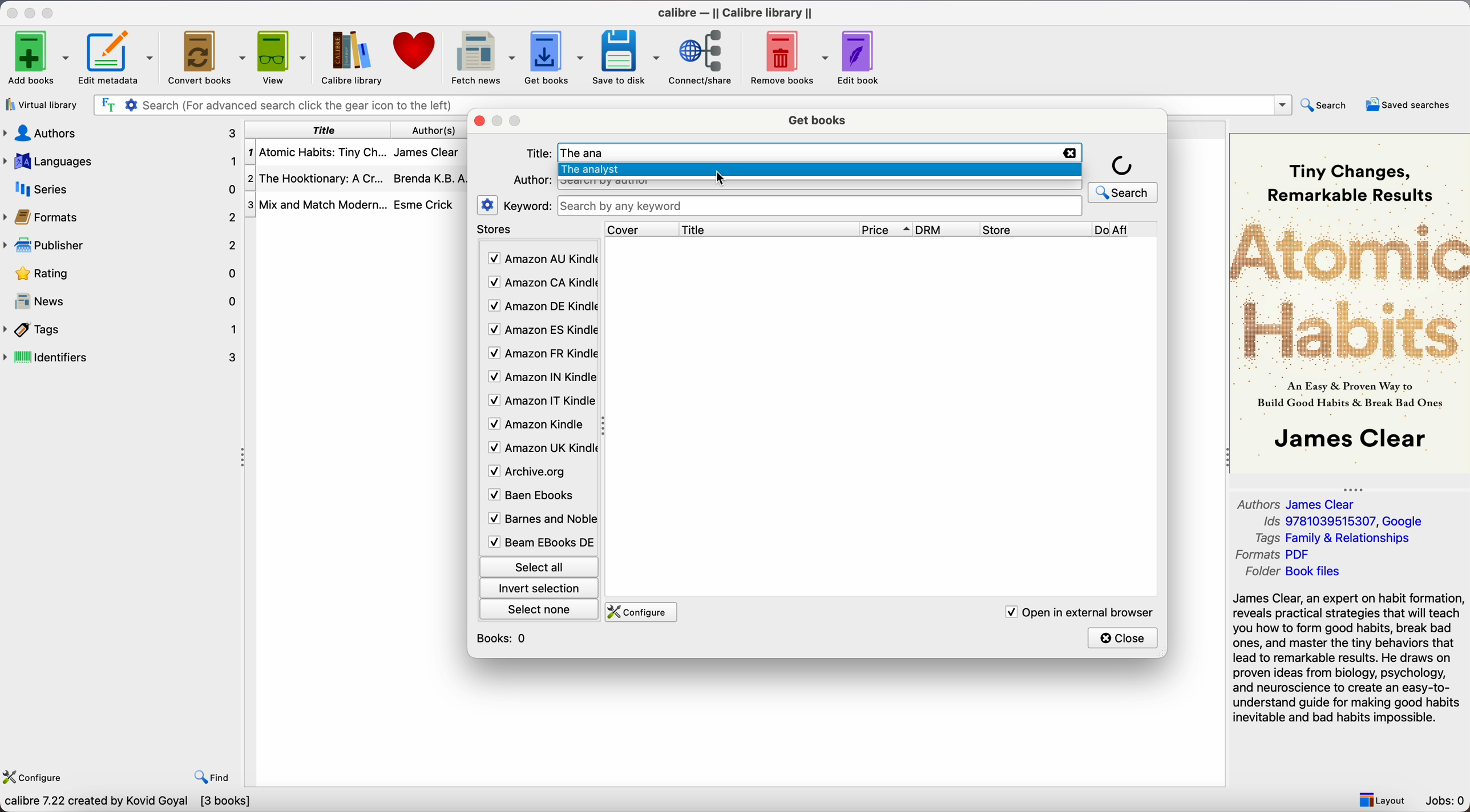  I want to click on tags, so click(122, 329).